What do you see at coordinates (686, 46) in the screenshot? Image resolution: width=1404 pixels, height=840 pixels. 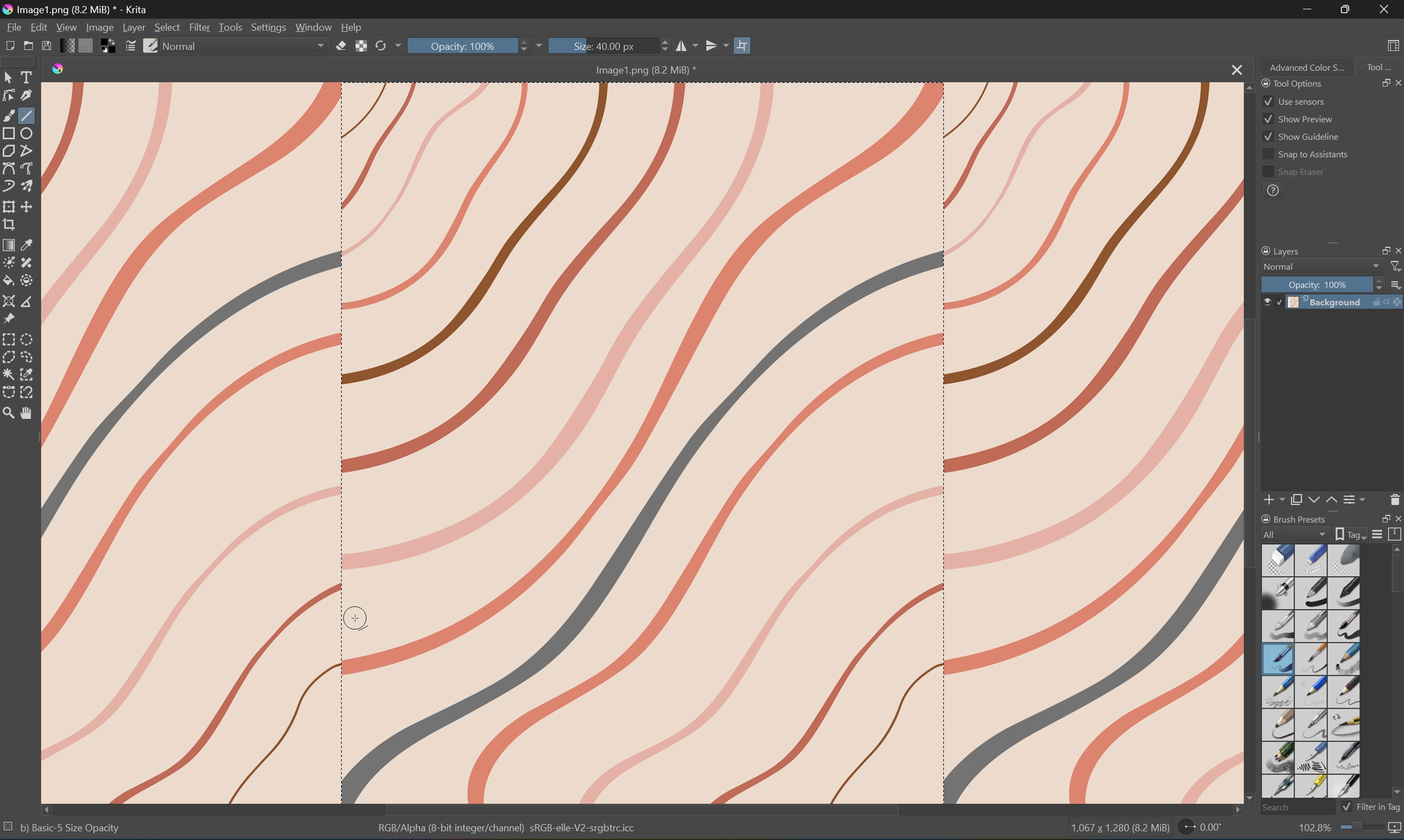 I see `Horizontal mirror tool` at bounding box center [686, 46].